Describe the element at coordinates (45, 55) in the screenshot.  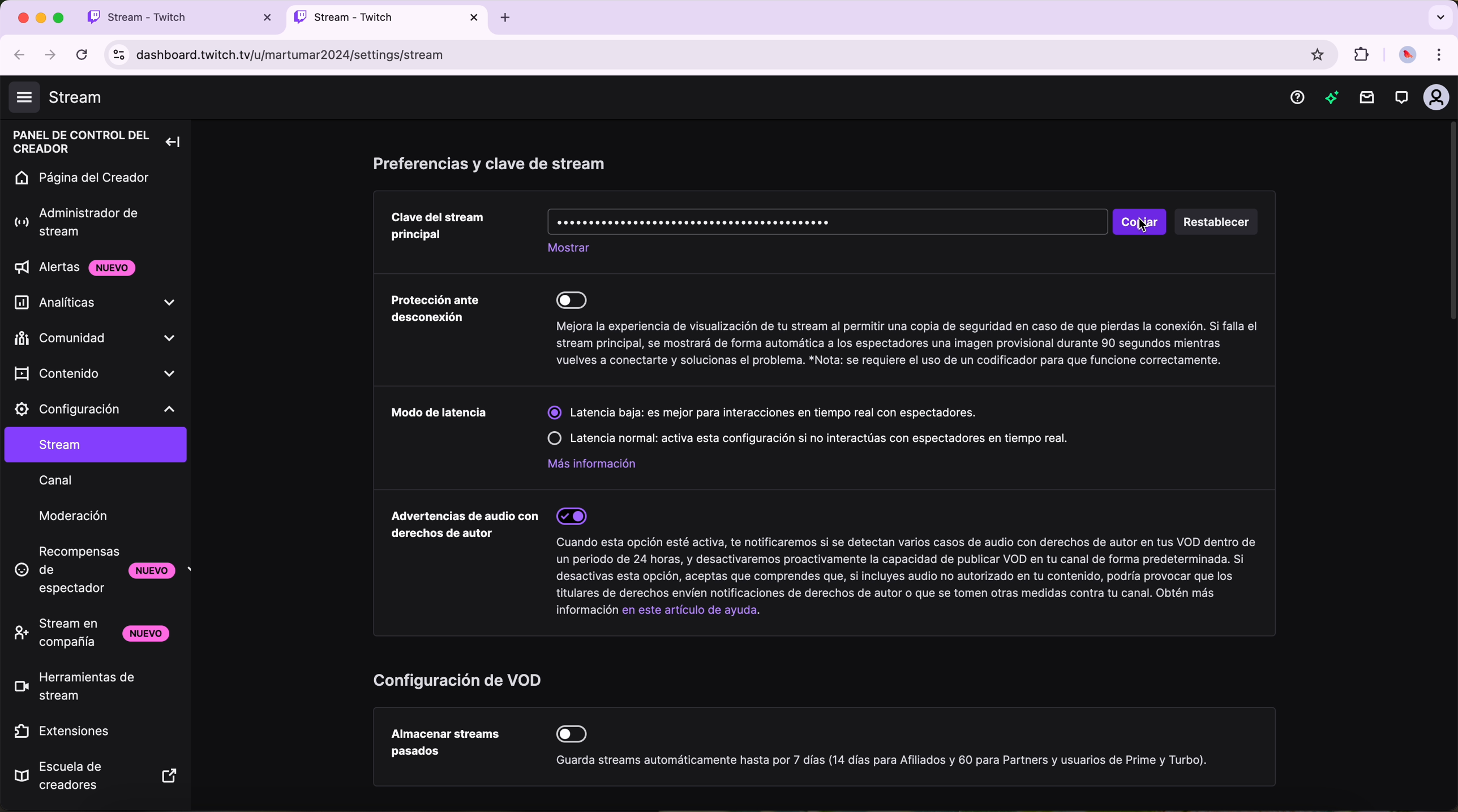
I see `navigate foward` at that location.